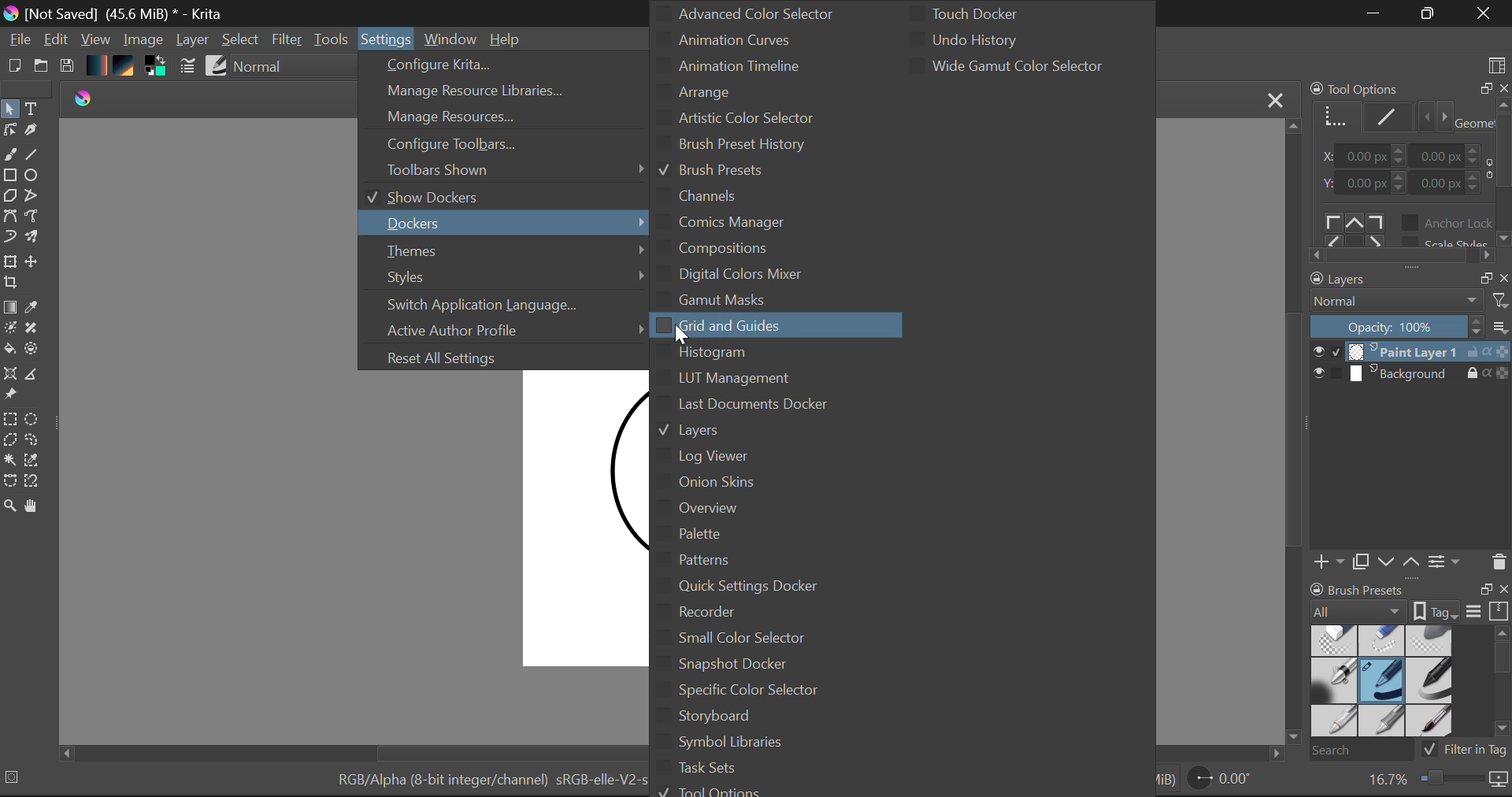  What do you see at coordinates (739, 65) in the screenshot?
I see `Animation Timeline` at bounding box center [739, 65].